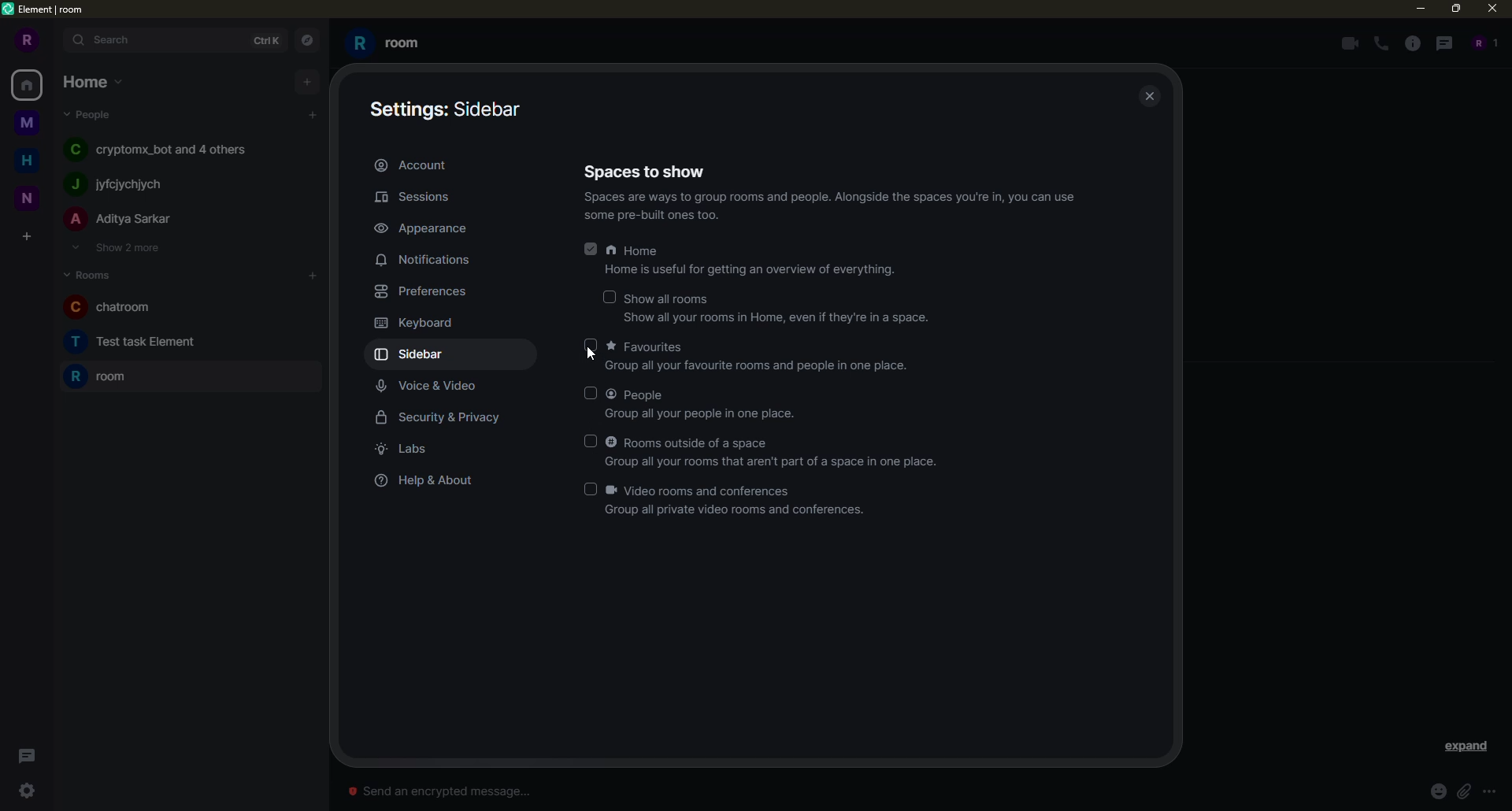 The width and height of the screenshot is (1512, 811). What do you see at coordinates (647, 346) in the screenshot?
I see `favorites` at bounding box center [647, 346].